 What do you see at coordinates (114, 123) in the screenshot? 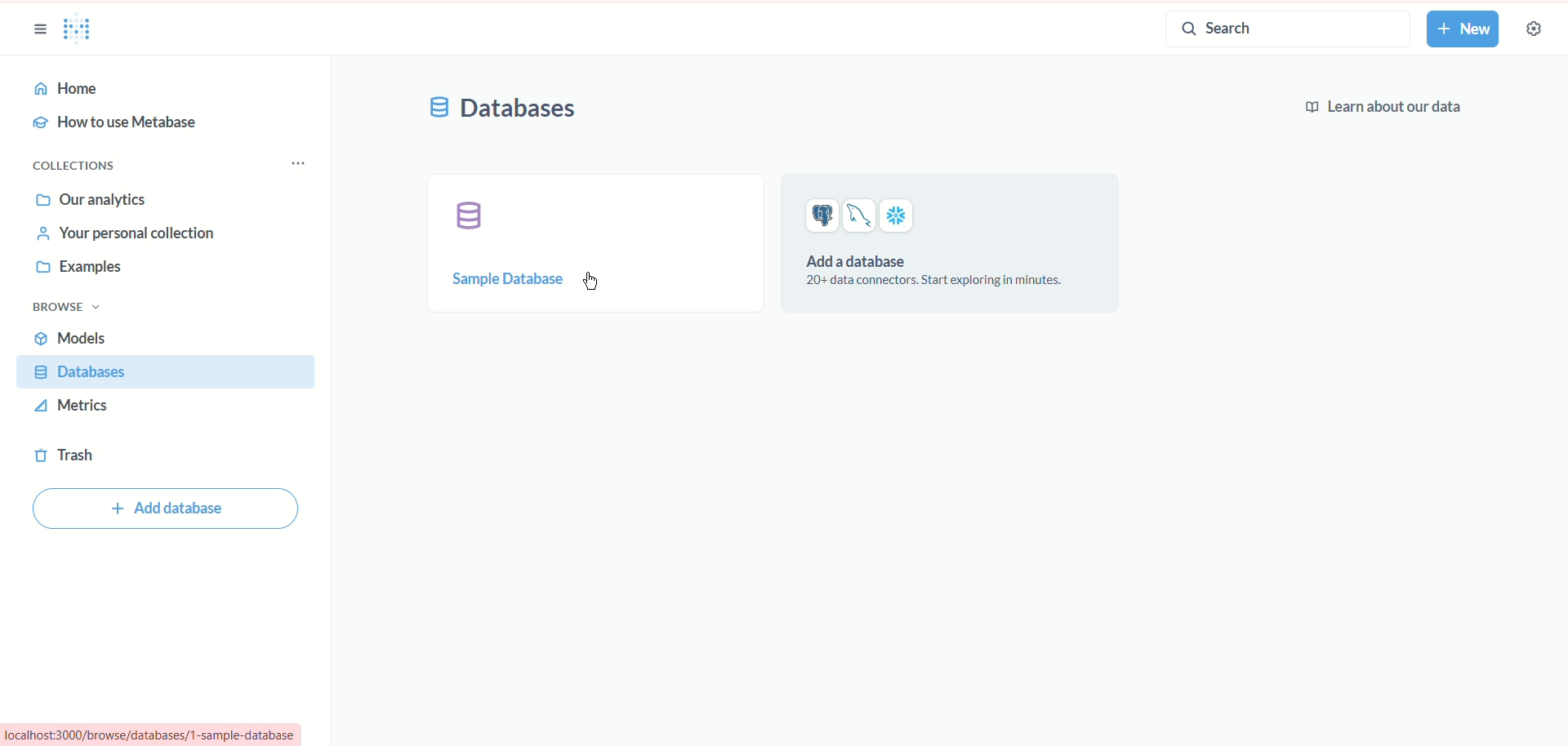
I see `how to use metabase` at bounding box center [114, 123].